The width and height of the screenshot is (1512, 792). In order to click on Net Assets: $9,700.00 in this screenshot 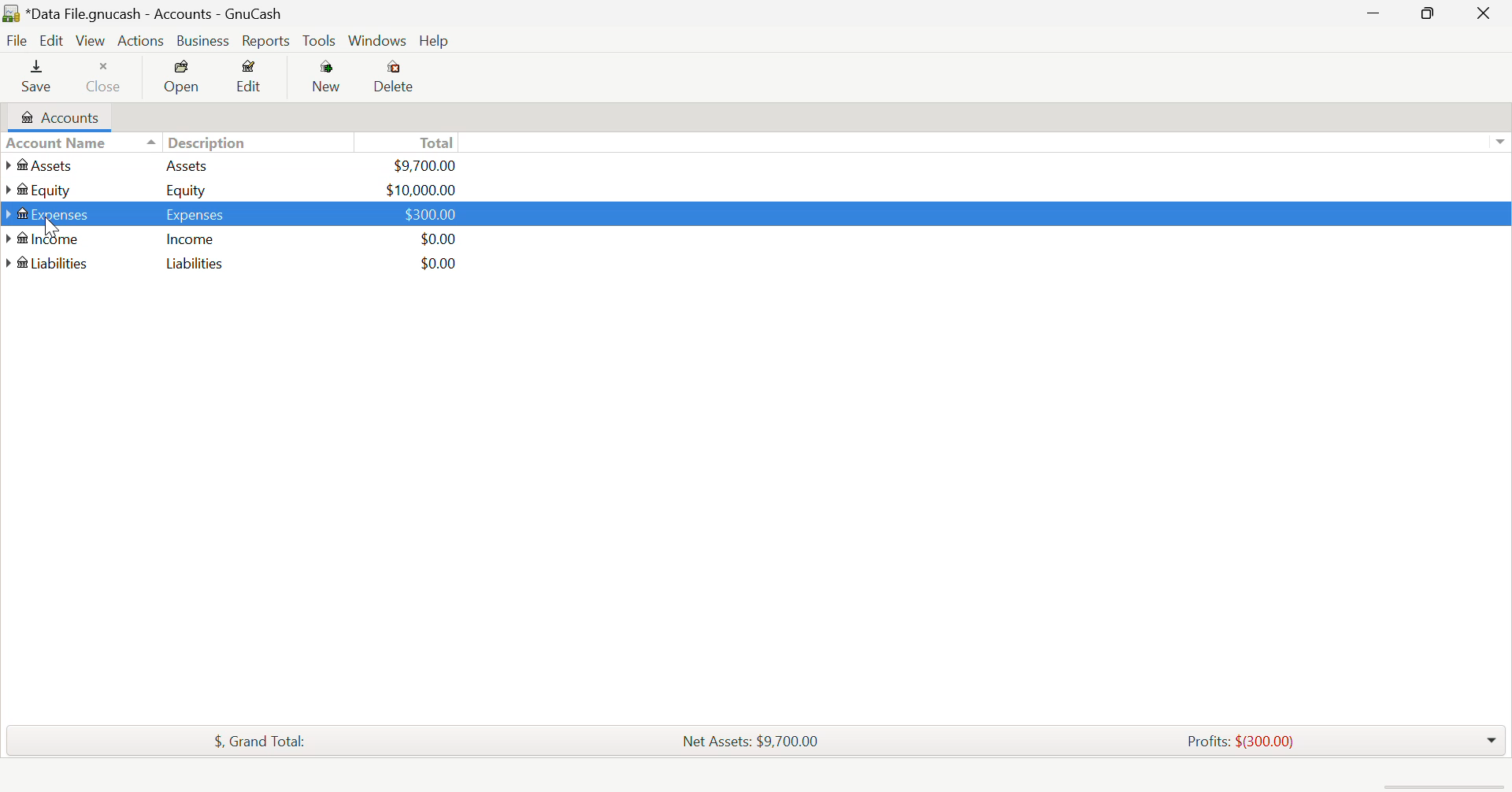, I will do `click(751, 742)`.